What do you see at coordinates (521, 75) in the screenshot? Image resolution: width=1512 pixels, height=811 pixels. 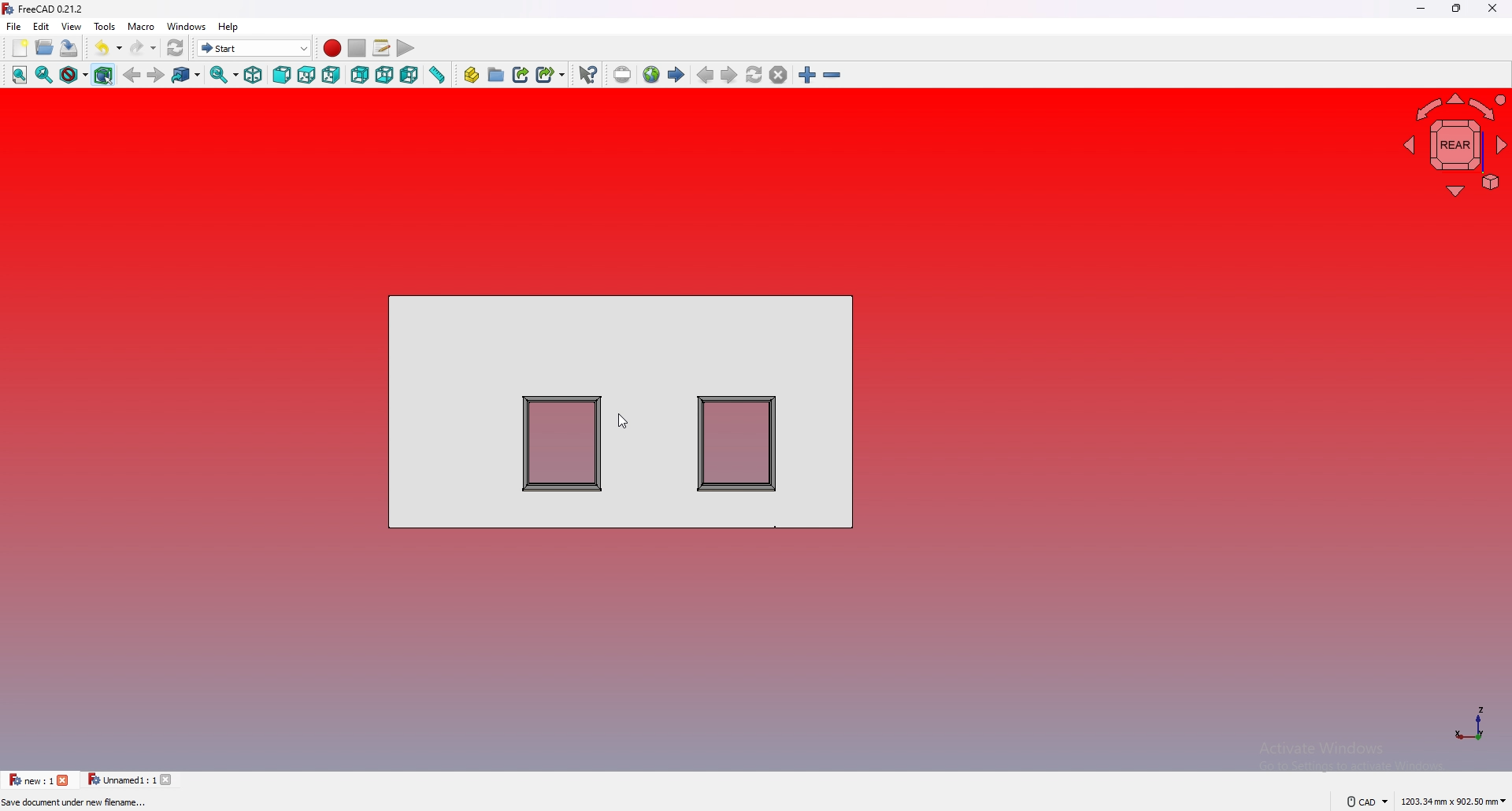 I see `create link` at bounding box center [521, 75].